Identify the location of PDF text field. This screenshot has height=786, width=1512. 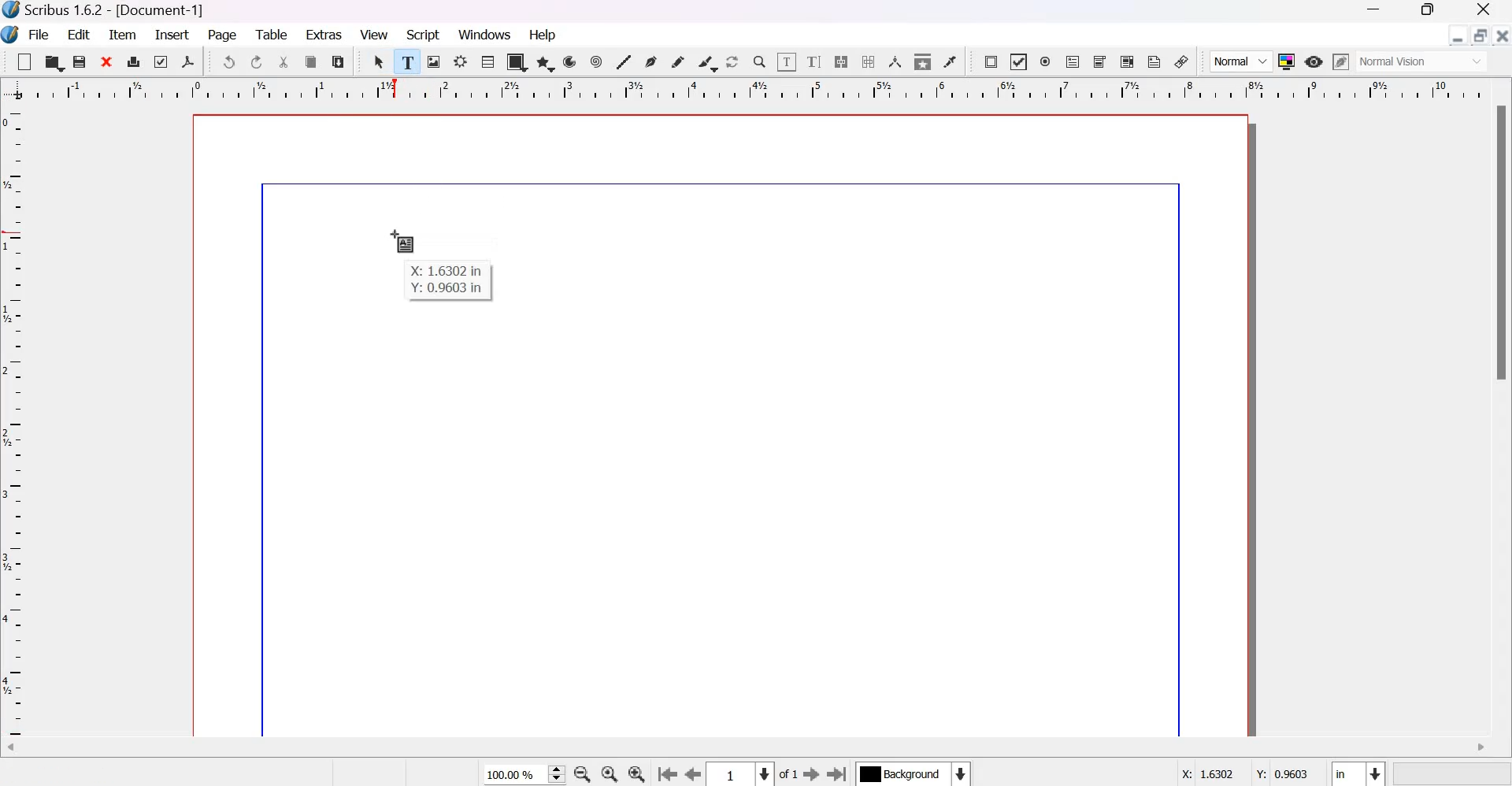
(1073, 63).